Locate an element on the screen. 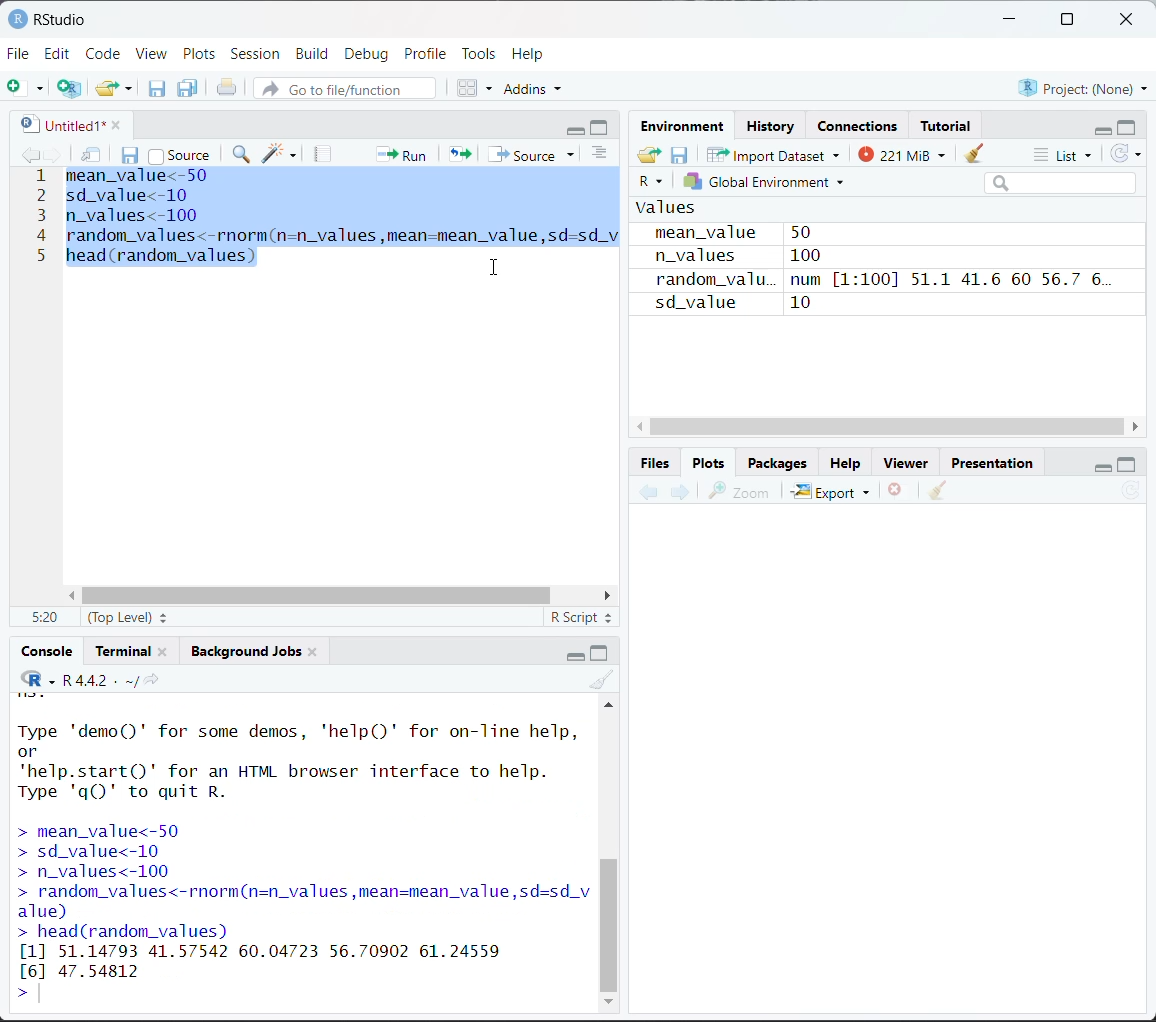  print the current file is located at coordinates (228, 88).